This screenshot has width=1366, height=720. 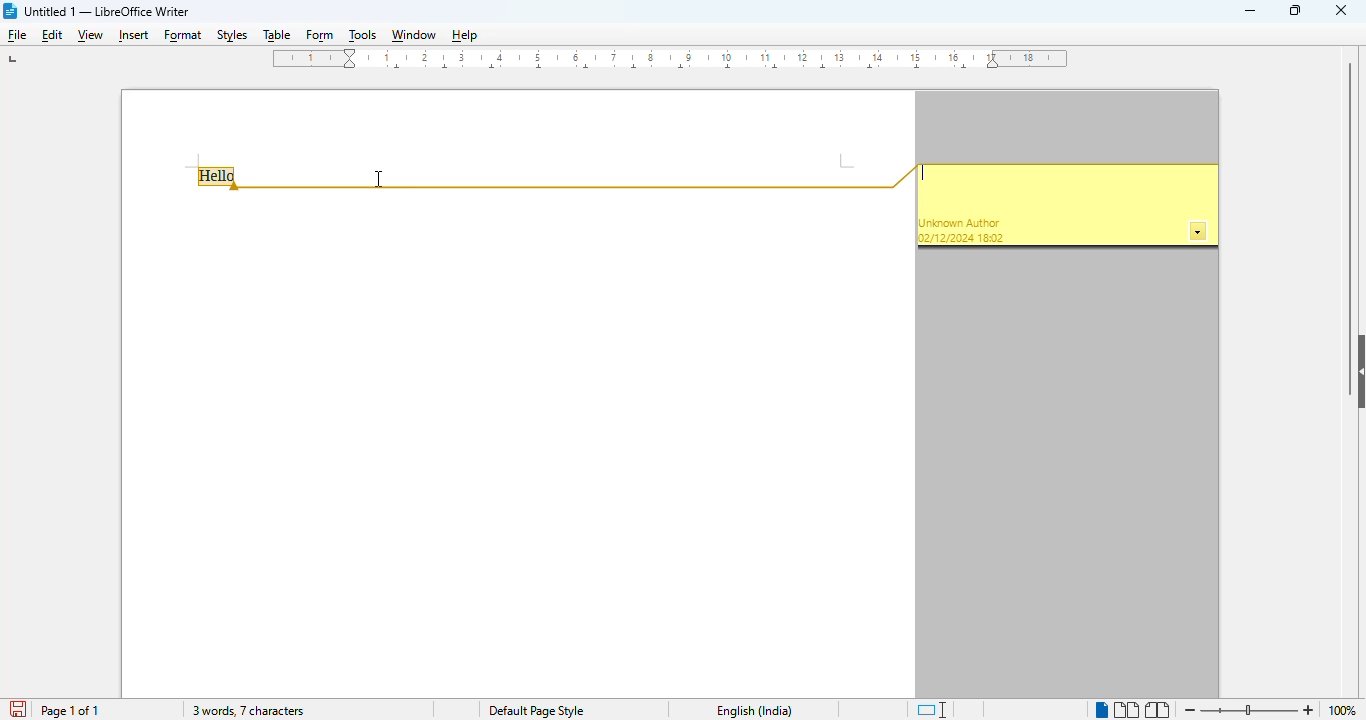 I want to click on insert, so click(x=131, y=36).